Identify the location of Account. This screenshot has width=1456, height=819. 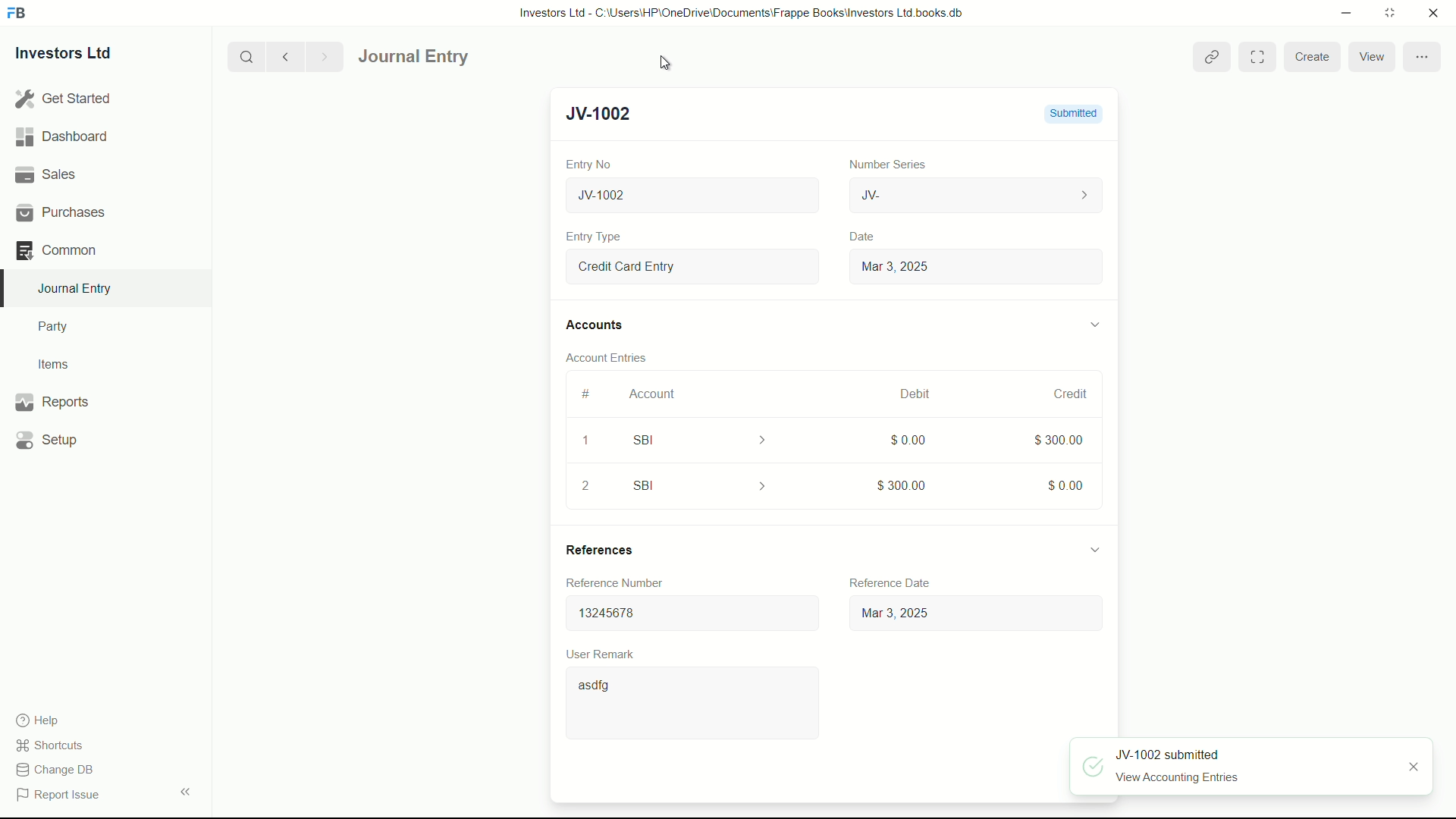
(653, 394).